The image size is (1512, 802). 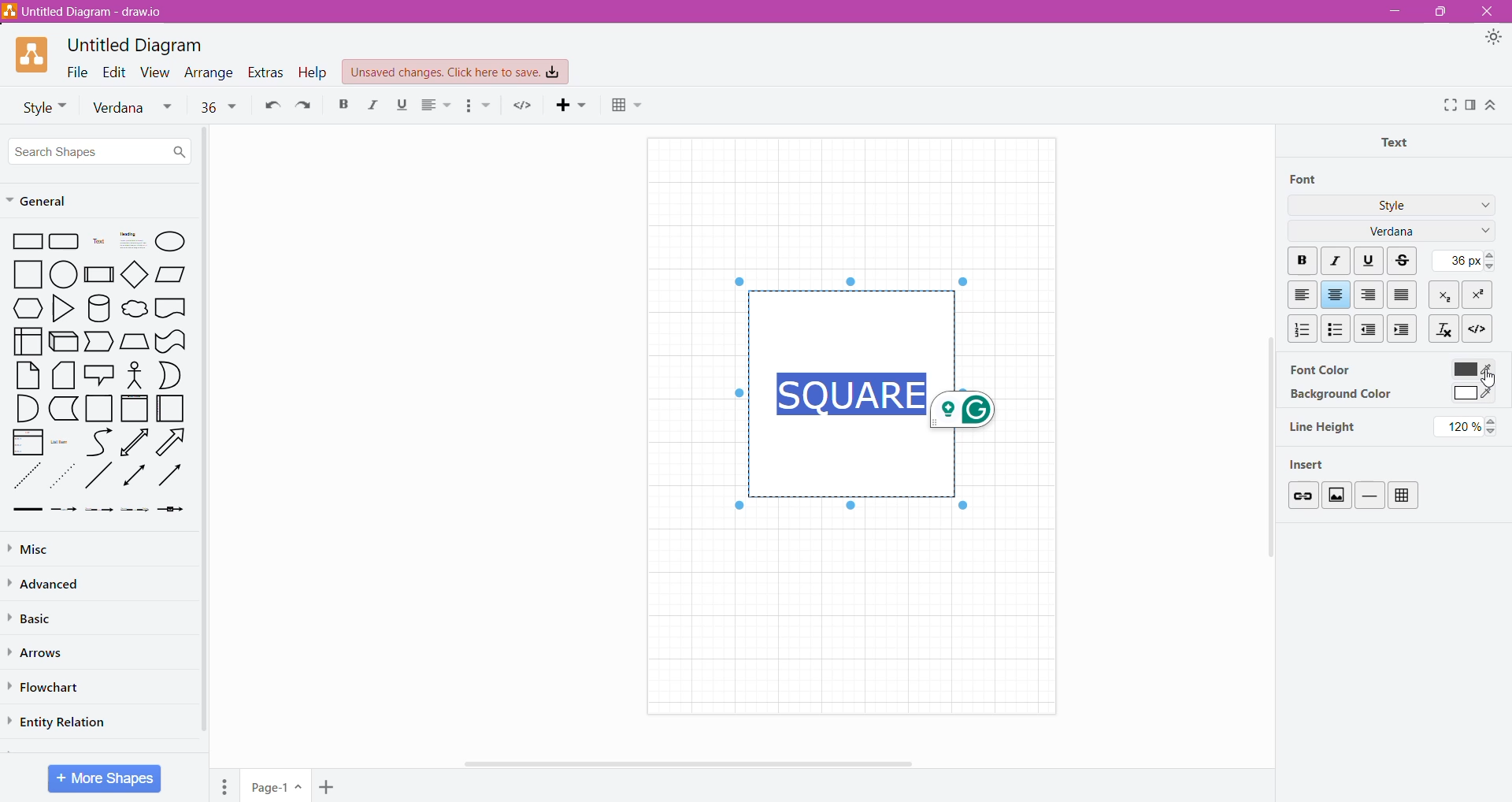 What do you see at coordinates (98, 443) in the screenshot?
I see `Curved Line` at bounding box center [98, 443].